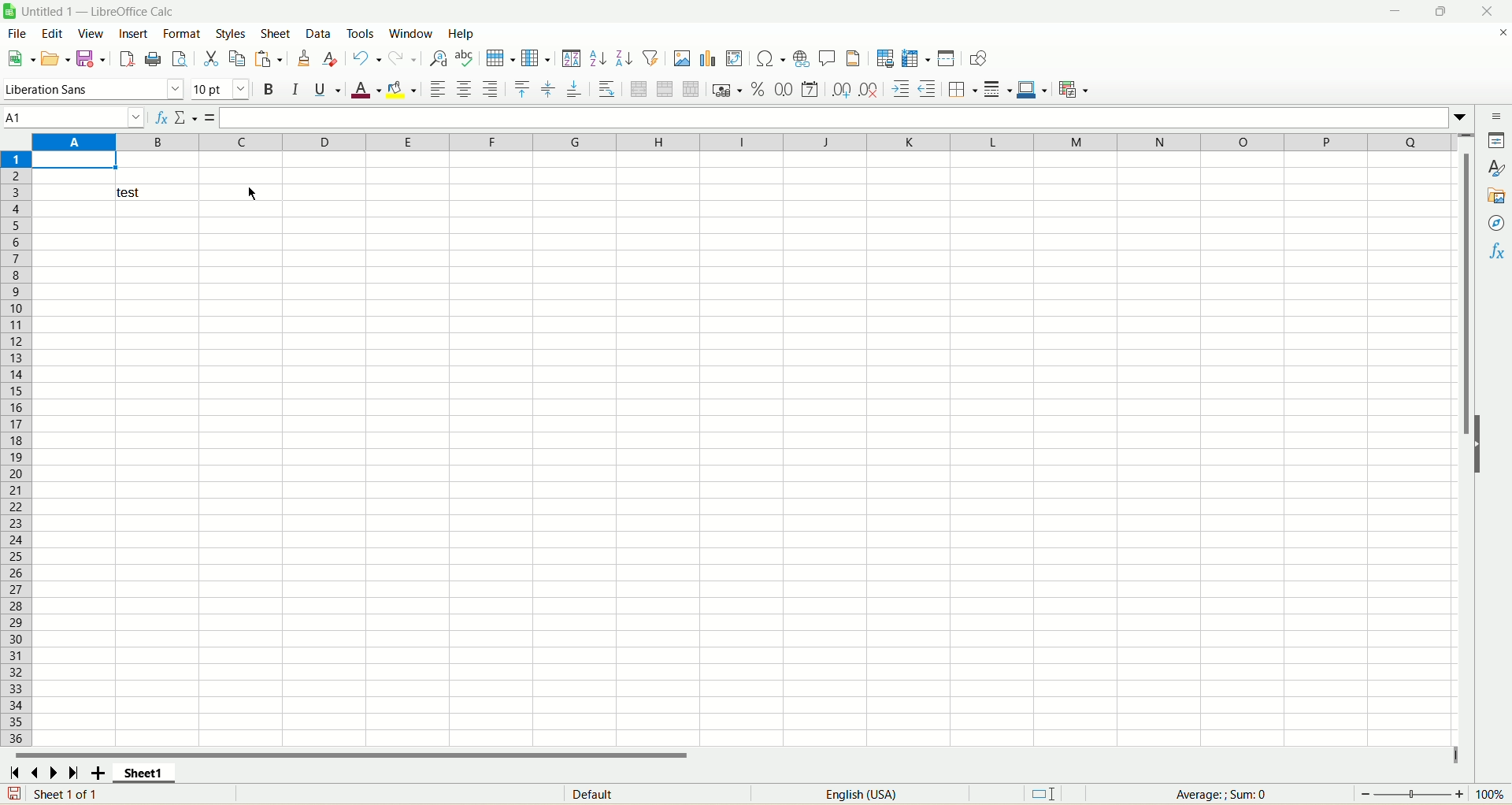  I want to click on save, so click(14, 793).